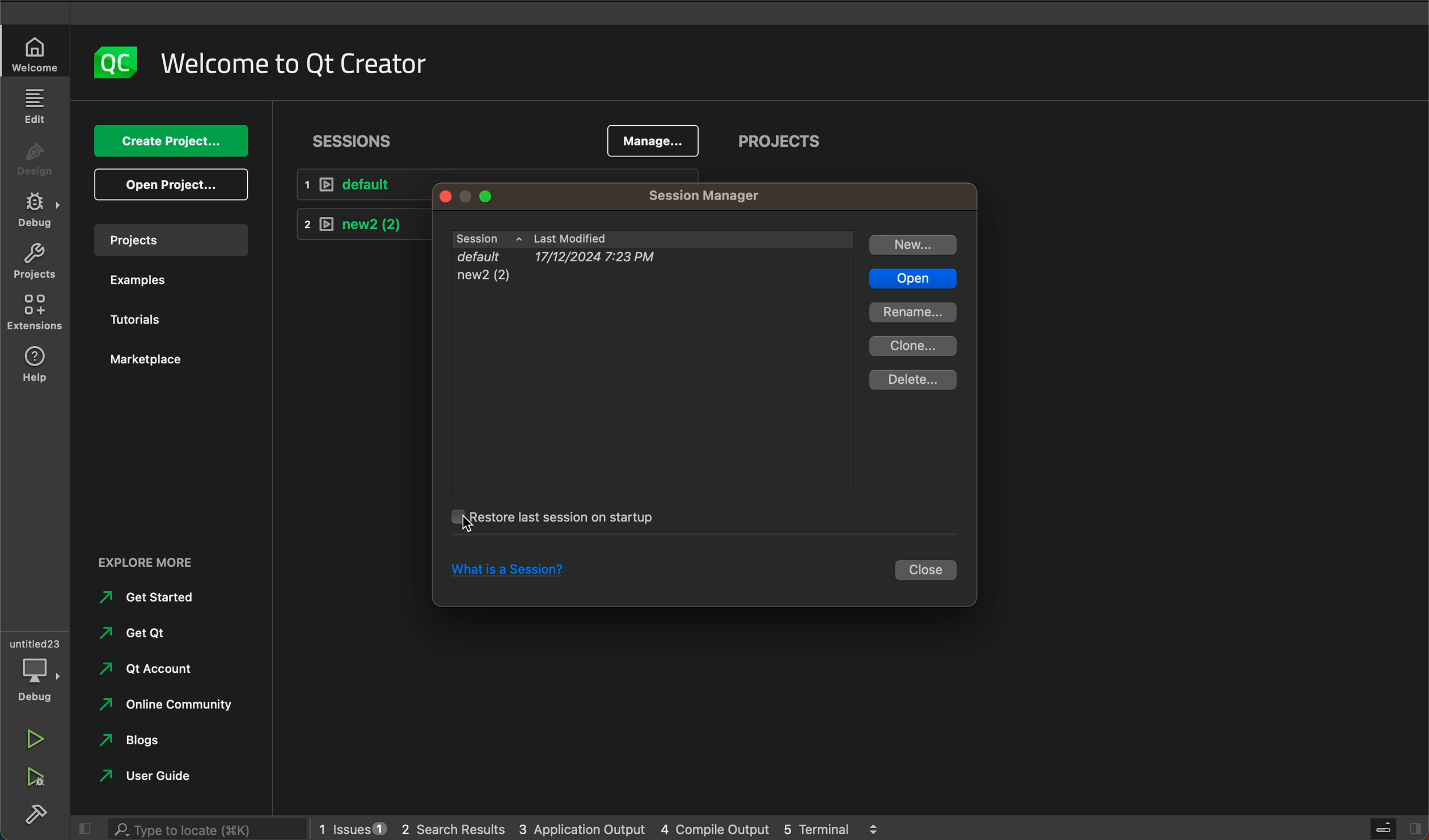 The image size is (1429, 840). What do you see at coordinates (135, 634) in the screenshot?
I see `get qt` at bounding box center [135, 634].